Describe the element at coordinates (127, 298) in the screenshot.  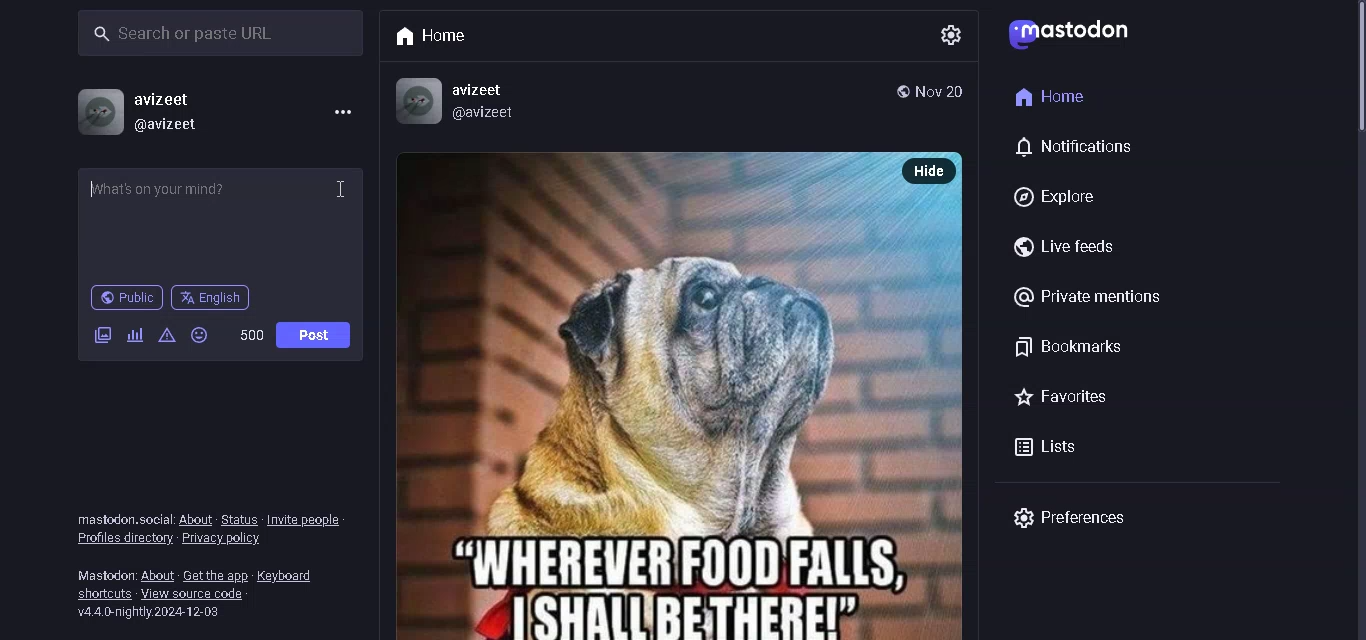
I see `public` at that location.